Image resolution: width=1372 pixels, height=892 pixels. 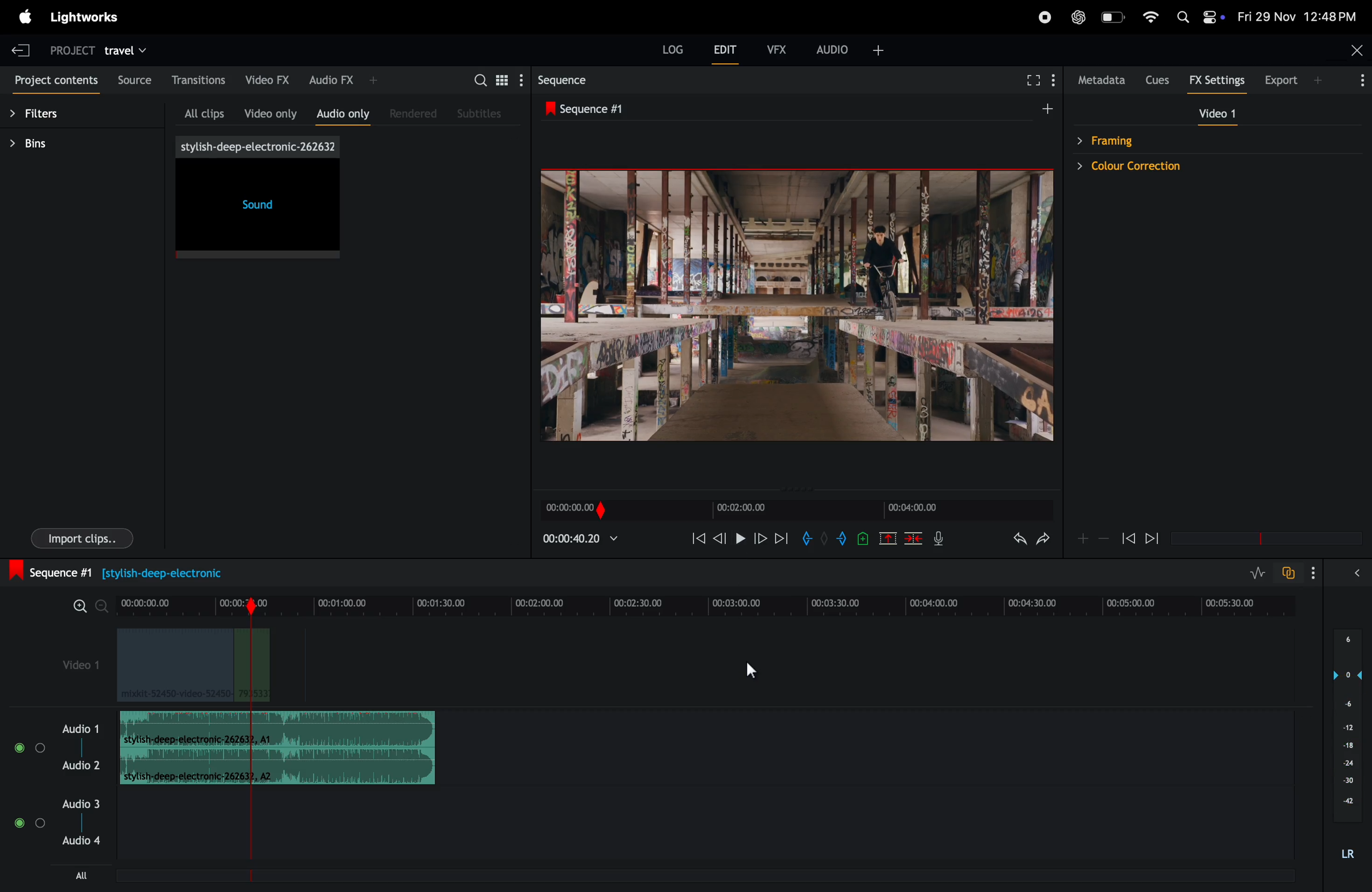 What do you see at coordinates (914, 537) in the screenshot?
I see `delete` at bounding box center [914, 537].